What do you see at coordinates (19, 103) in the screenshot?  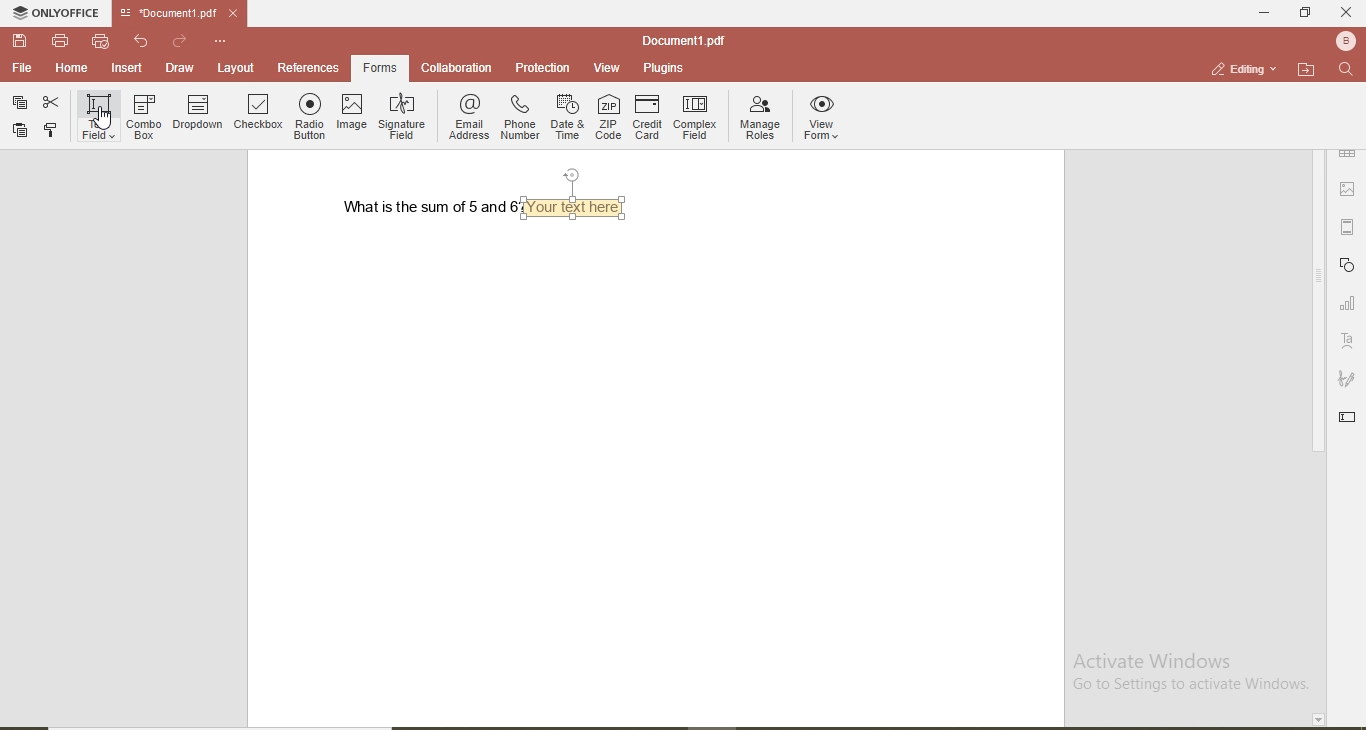 I see `paste special` at bounding box center [19, 103].